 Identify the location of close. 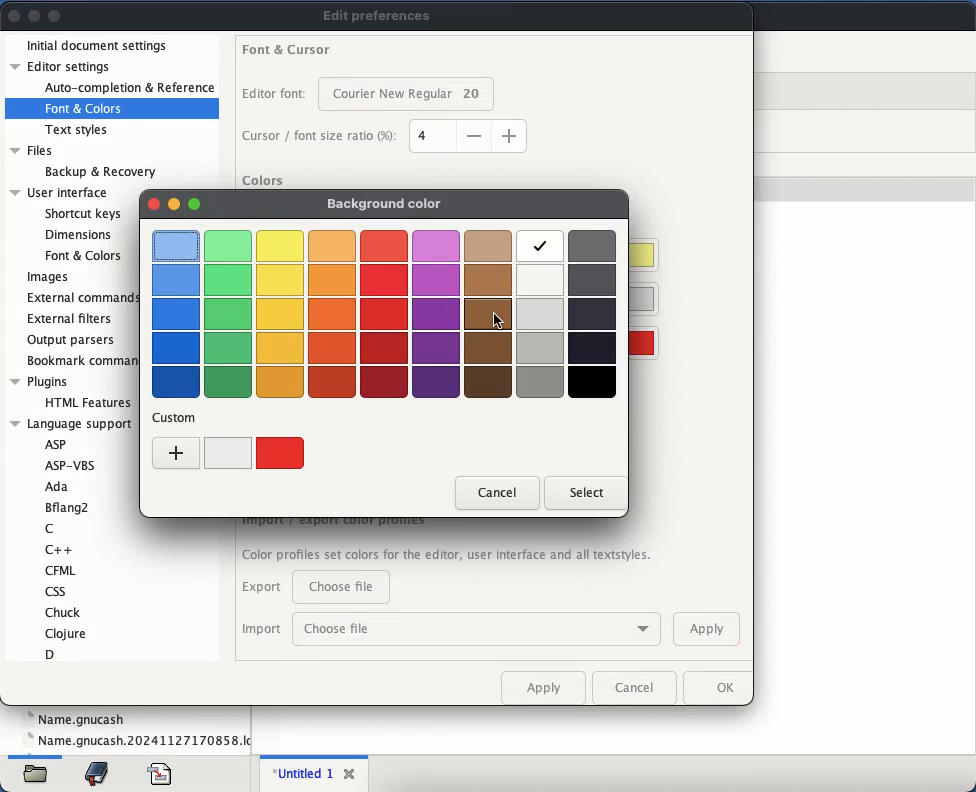
(153, 202).